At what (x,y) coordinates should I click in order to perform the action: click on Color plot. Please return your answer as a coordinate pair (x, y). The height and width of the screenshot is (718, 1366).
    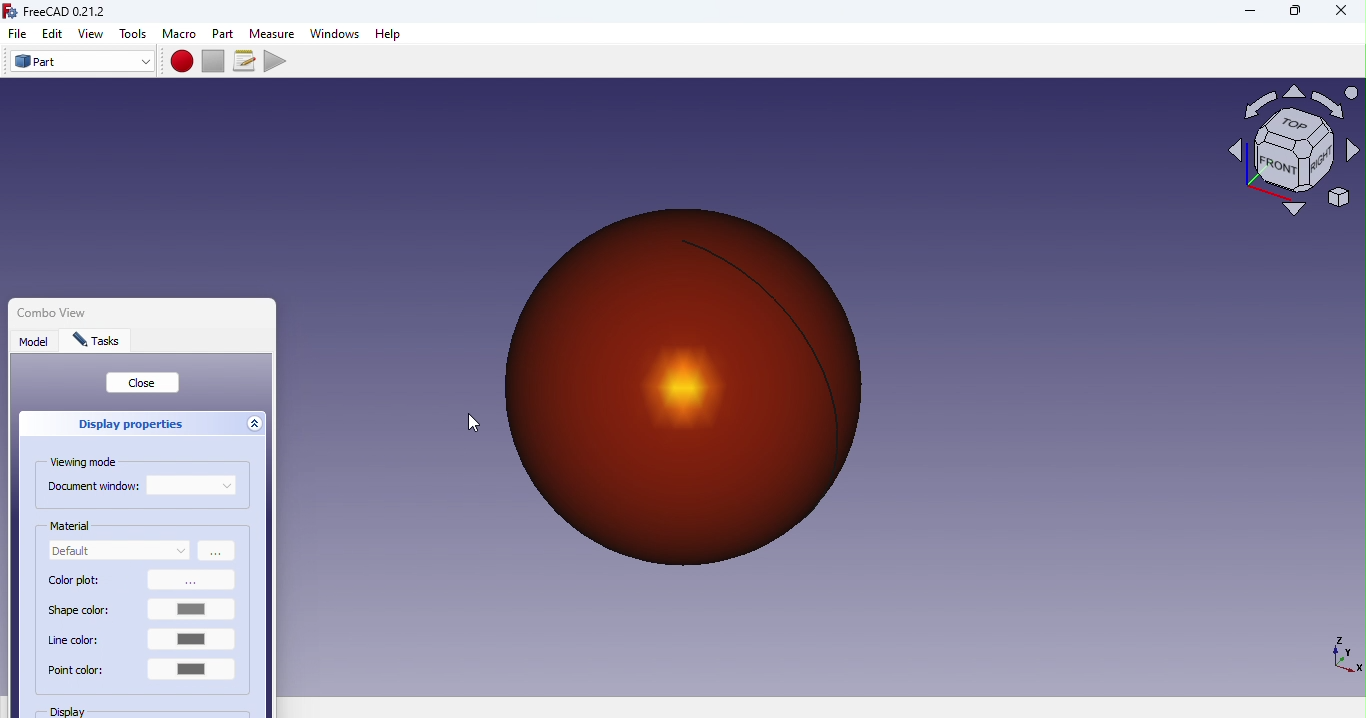
    Looking at the image, I should click on (141, 582).